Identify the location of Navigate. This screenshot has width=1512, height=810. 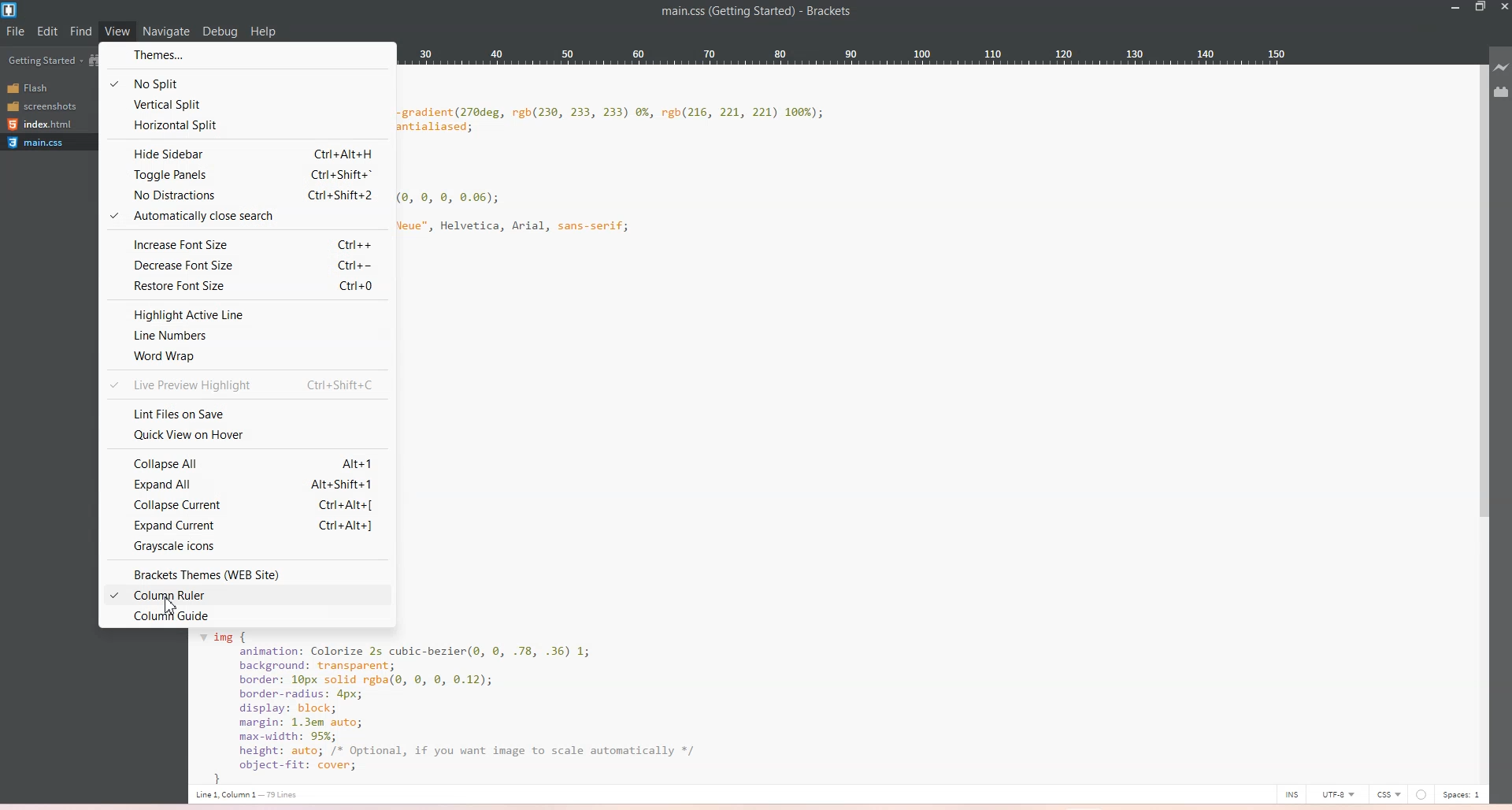
(167, 31).